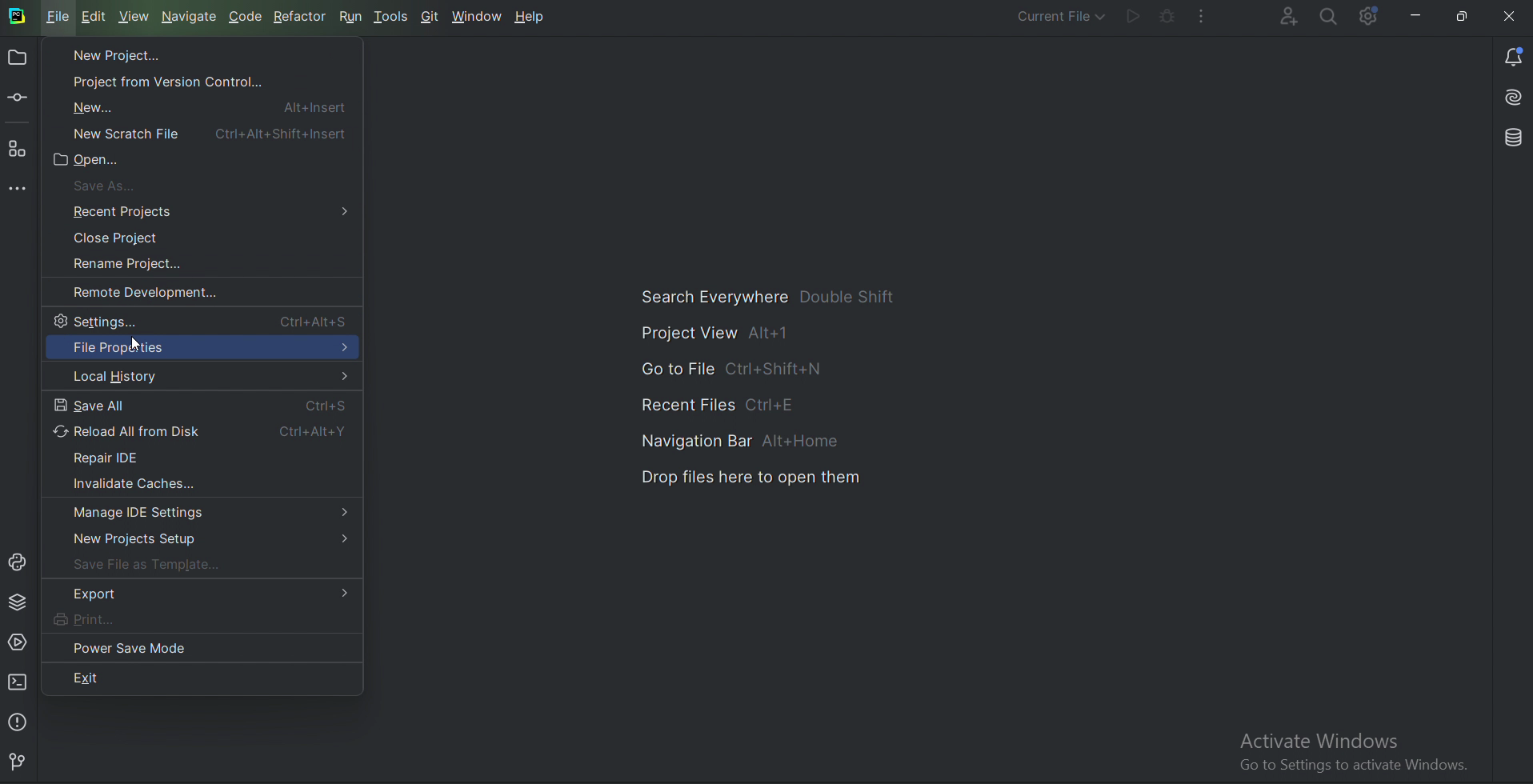 The image size is (1533, 784). Describe the element at coordinates (207, 593) in the screenshot. I see `Export` at that location.